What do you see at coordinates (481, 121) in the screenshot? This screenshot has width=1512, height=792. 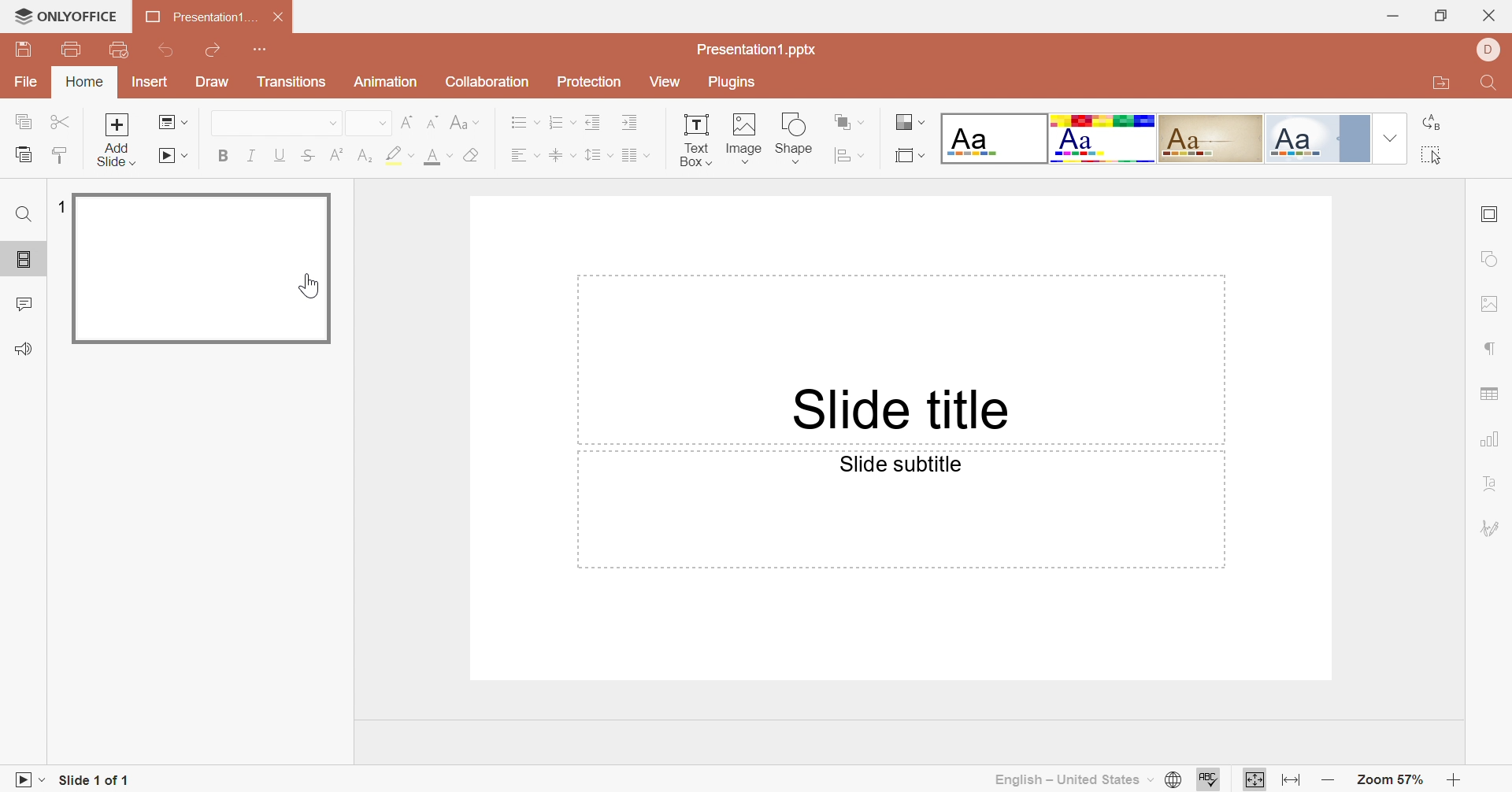 I see `Drop Down` at bounding box center [481, 121].